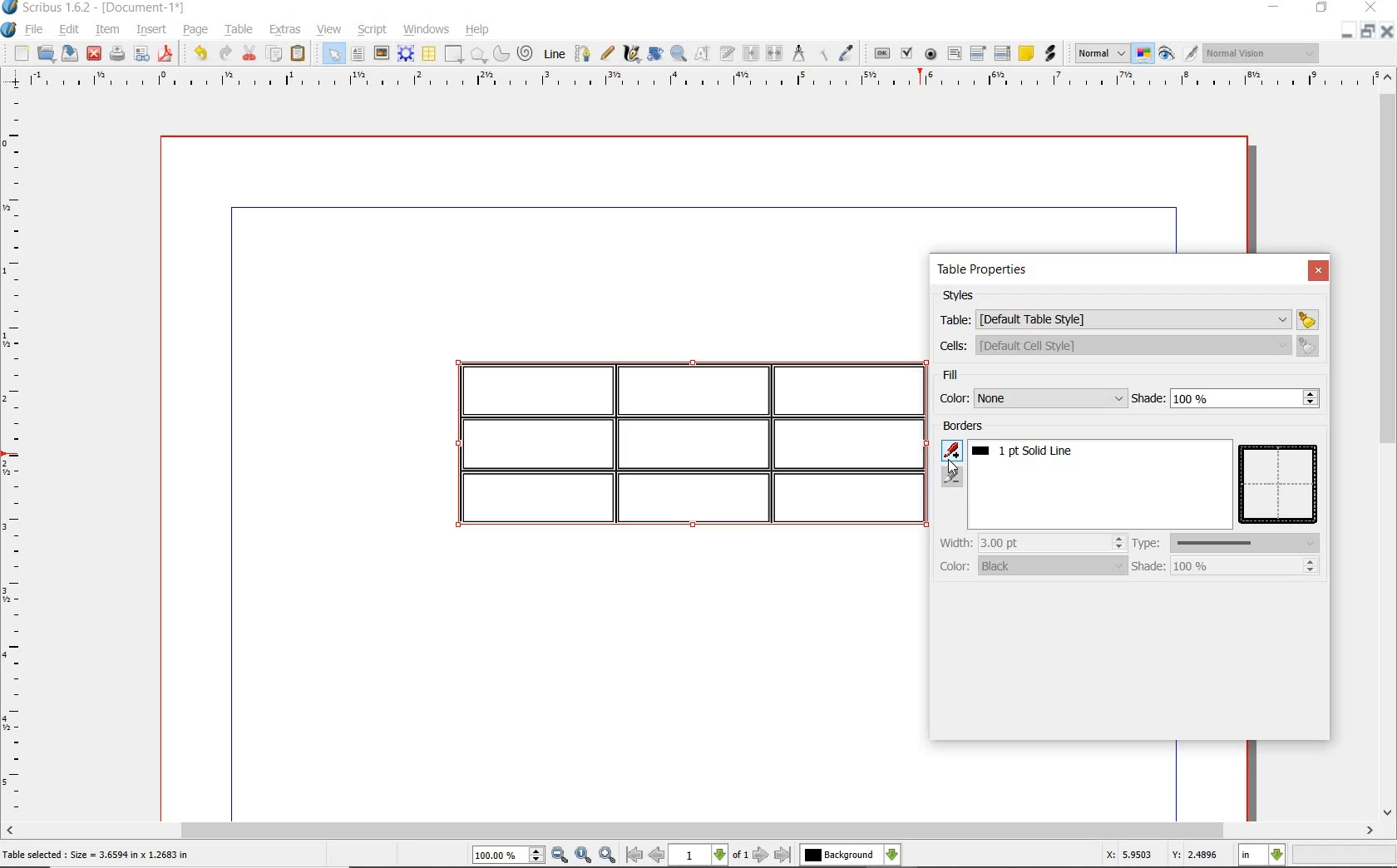  Describe the element at coordinates (225, 54) in the screenshot. I see `redo` at that location.